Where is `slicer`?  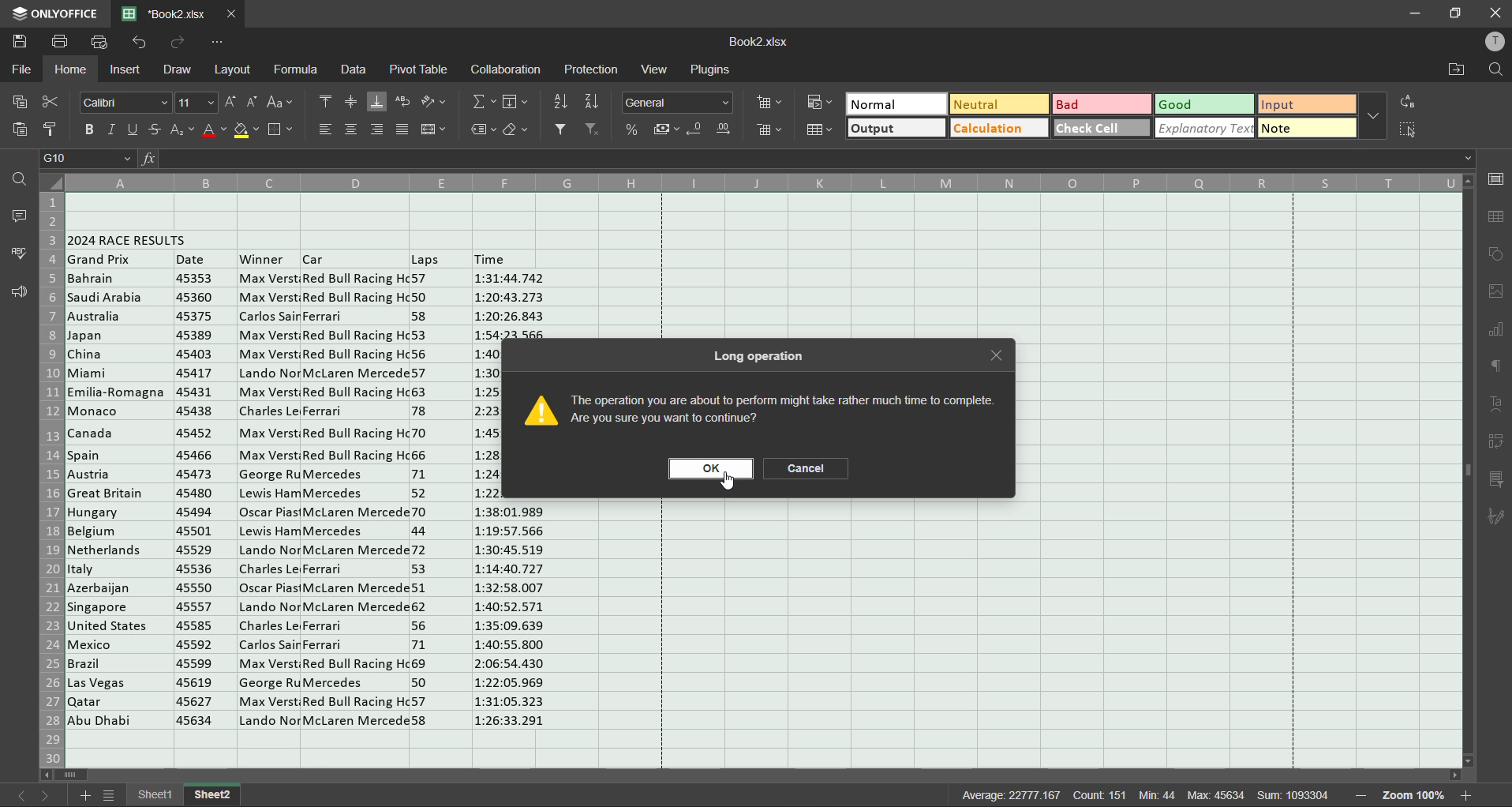
slicer is located at coordinates (1497, 479).